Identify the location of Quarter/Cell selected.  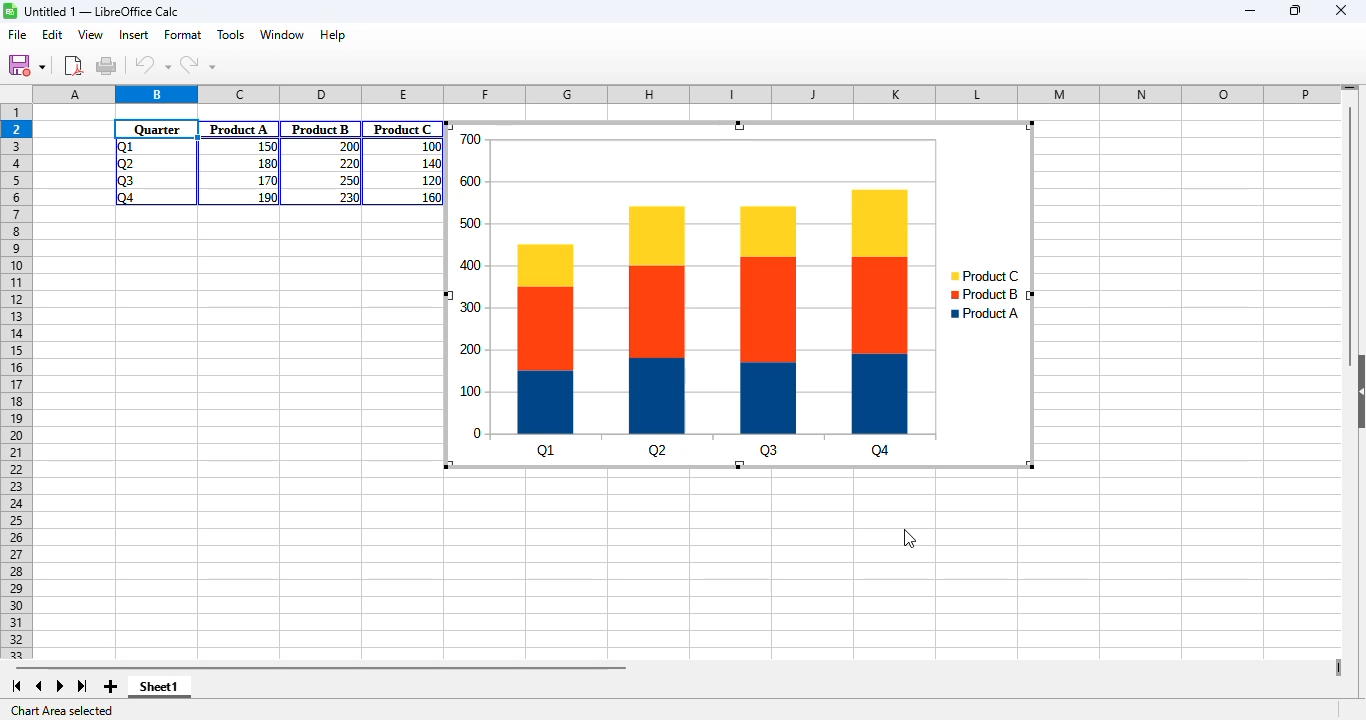
(157, 129).